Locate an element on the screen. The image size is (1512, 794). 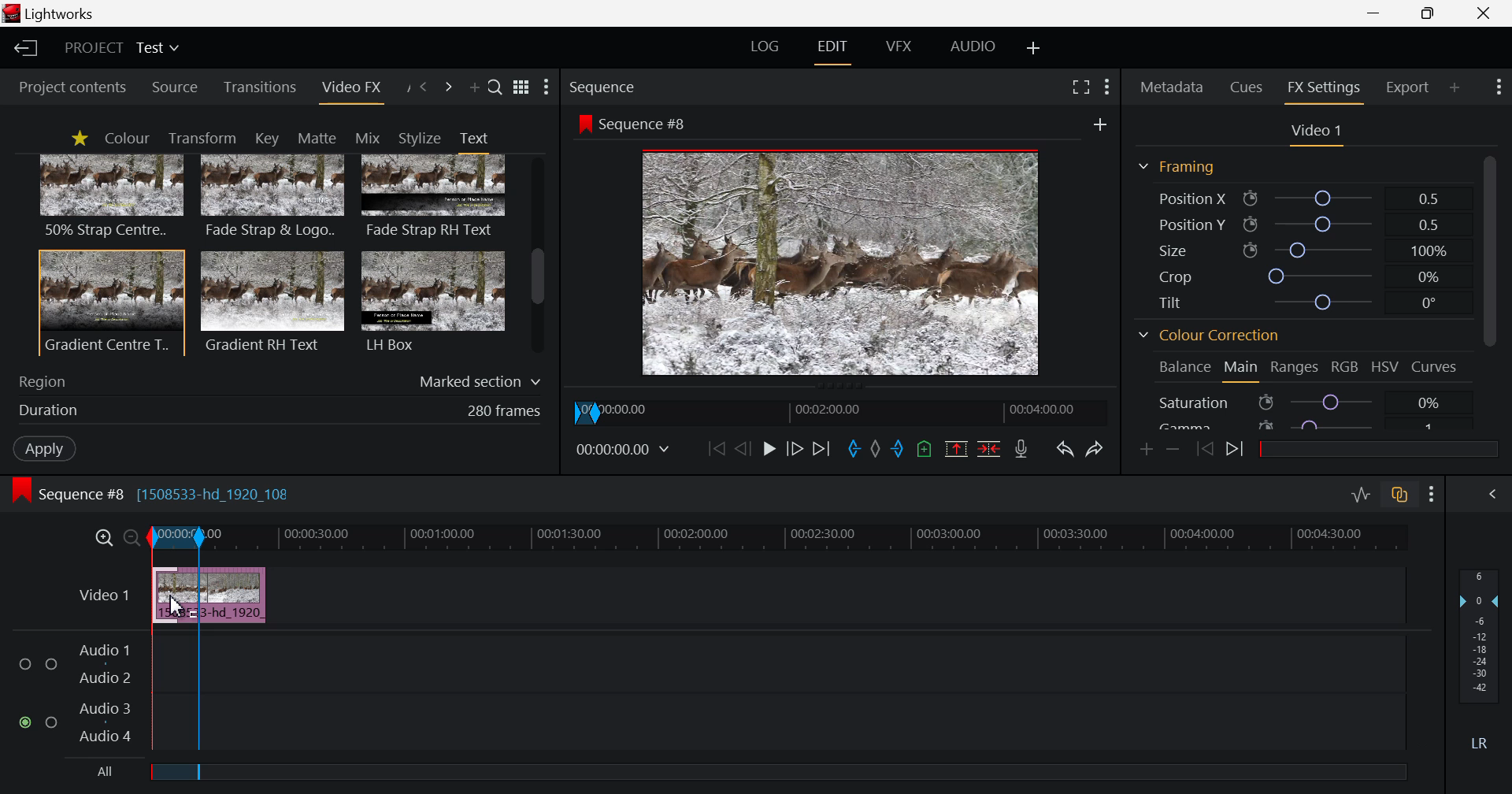
Remove marked section is located at coordinates (956, 448).